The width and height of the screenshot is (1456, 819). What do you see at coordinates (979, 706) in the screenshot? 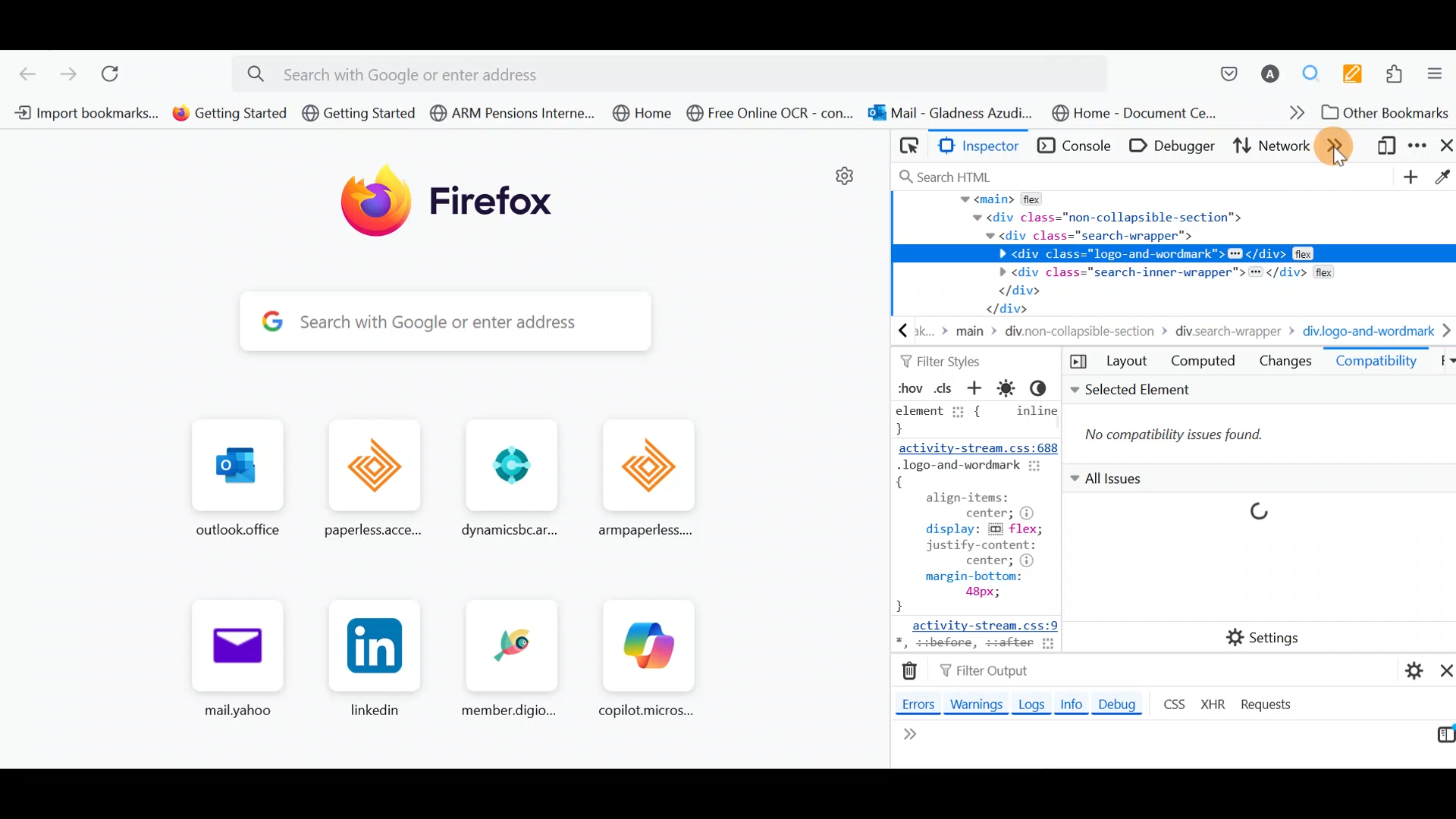
I see `Warnings` at bounding box center [979, 706].